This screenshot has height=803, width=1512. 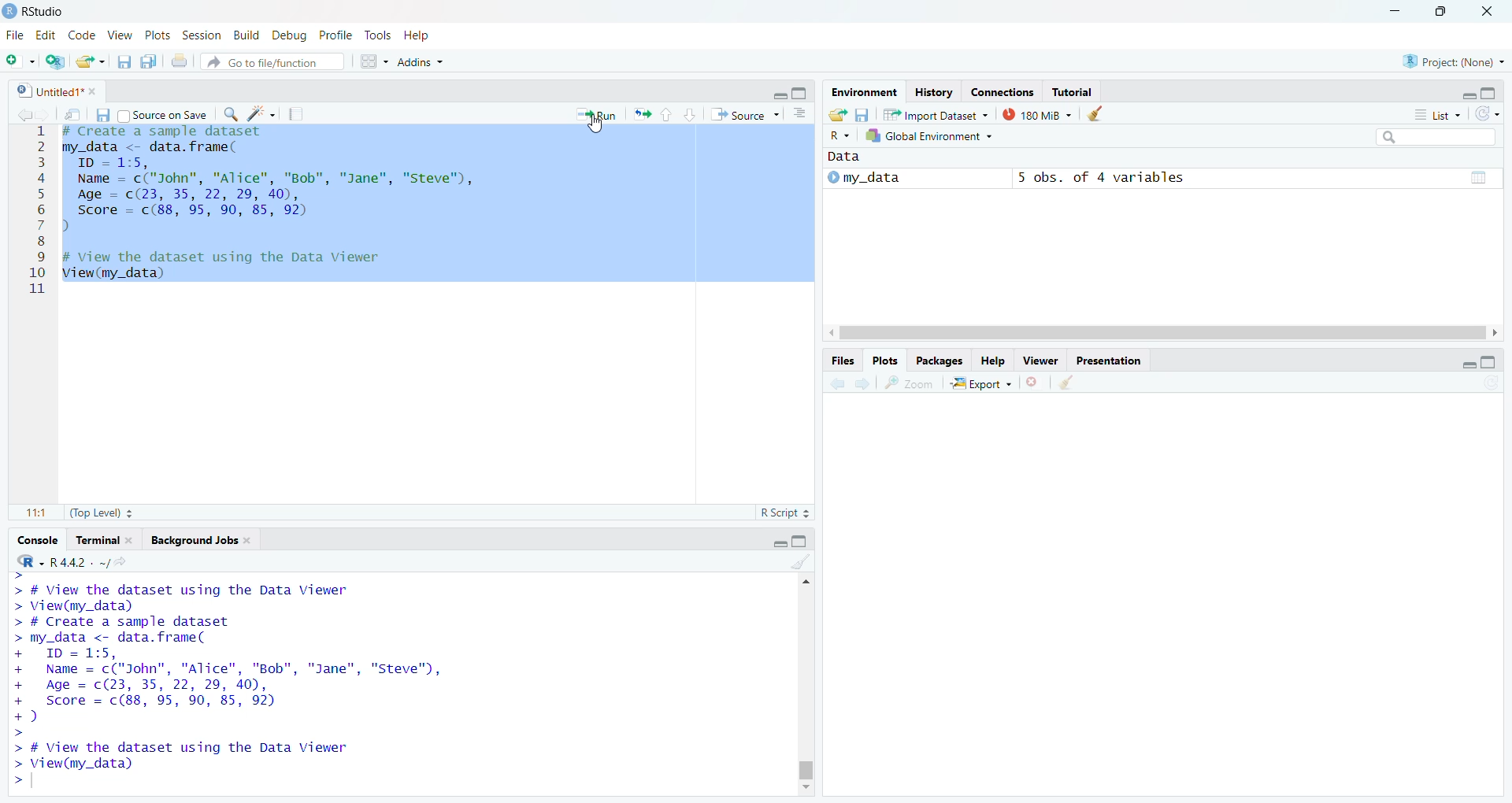 What do you see at coordinates (776, 544) in the screenshot?
I see `Minimize` at bounding box center [776, 544].